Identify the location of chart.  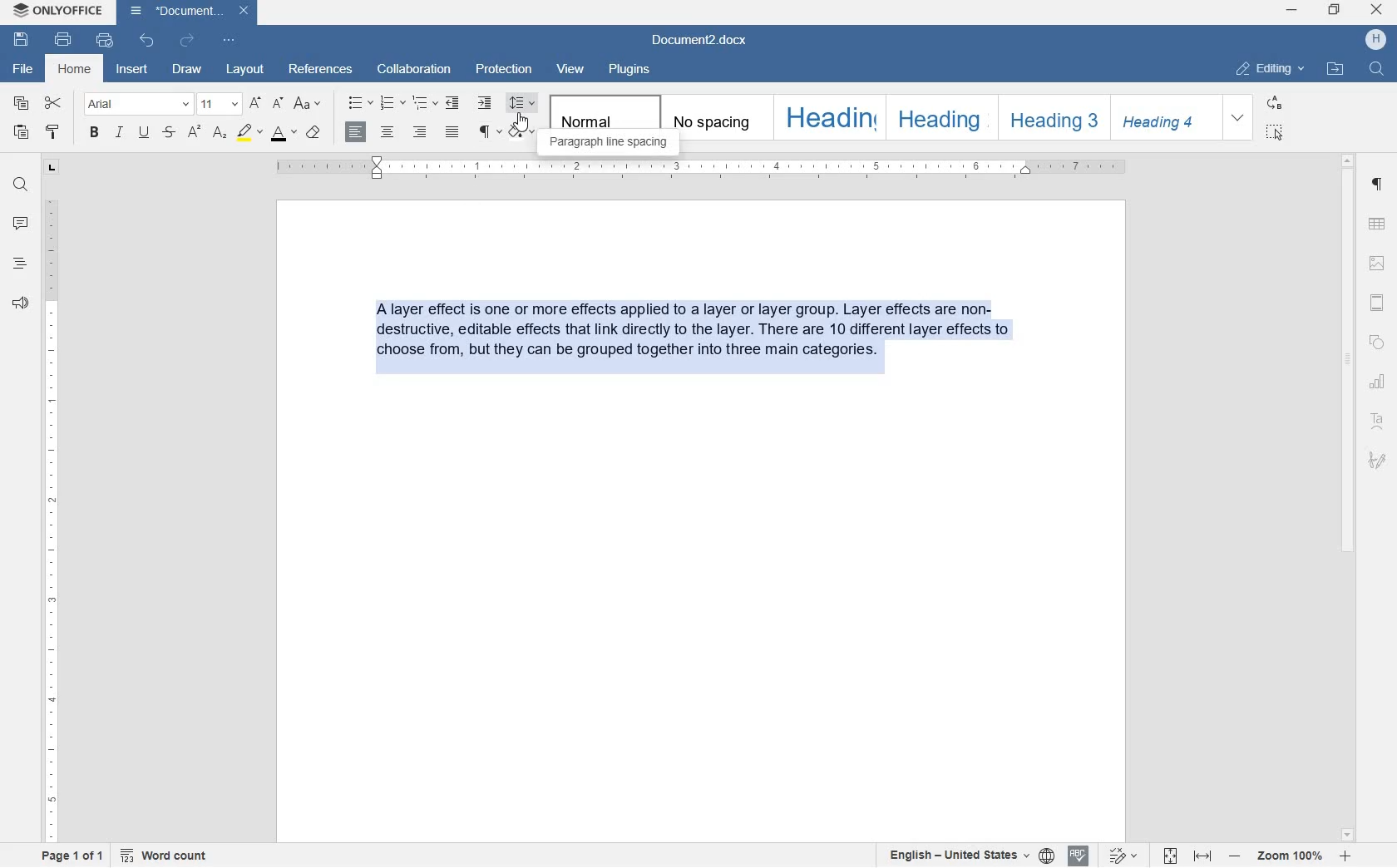
(1379, 382).